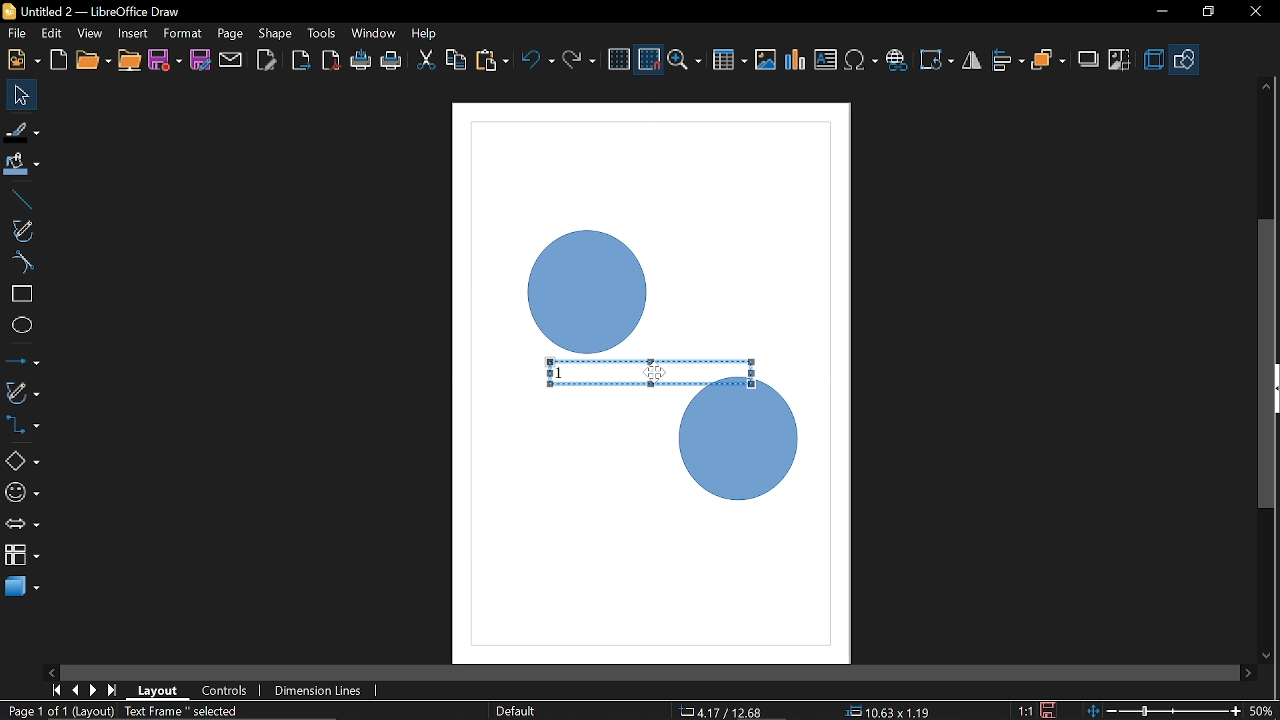 The width and height of the screenshot is (1280, 720). I want to click on Sidebar, so click(1272, 389).